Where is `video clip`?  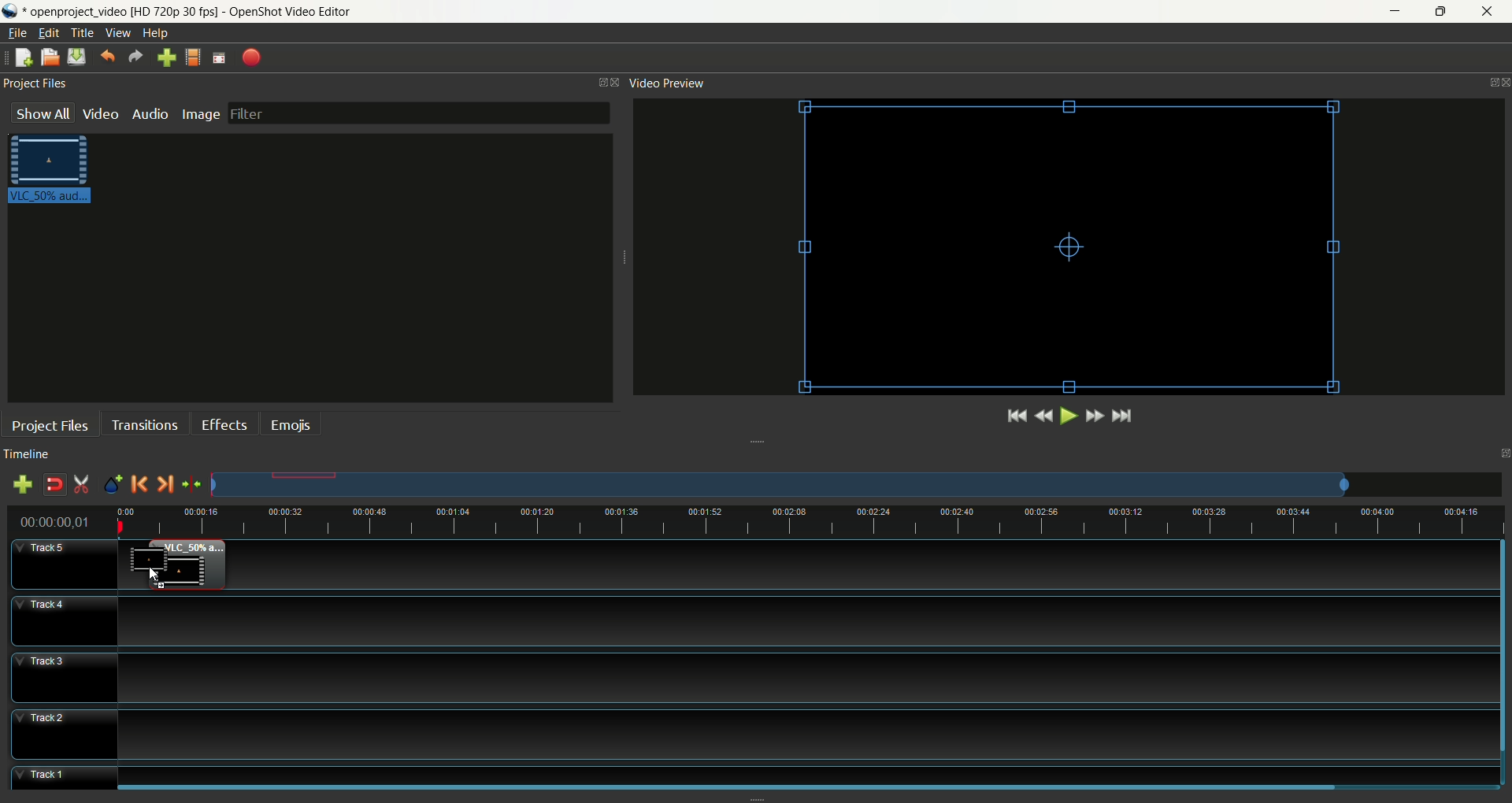 video clip is located at coordinates (53, 171).